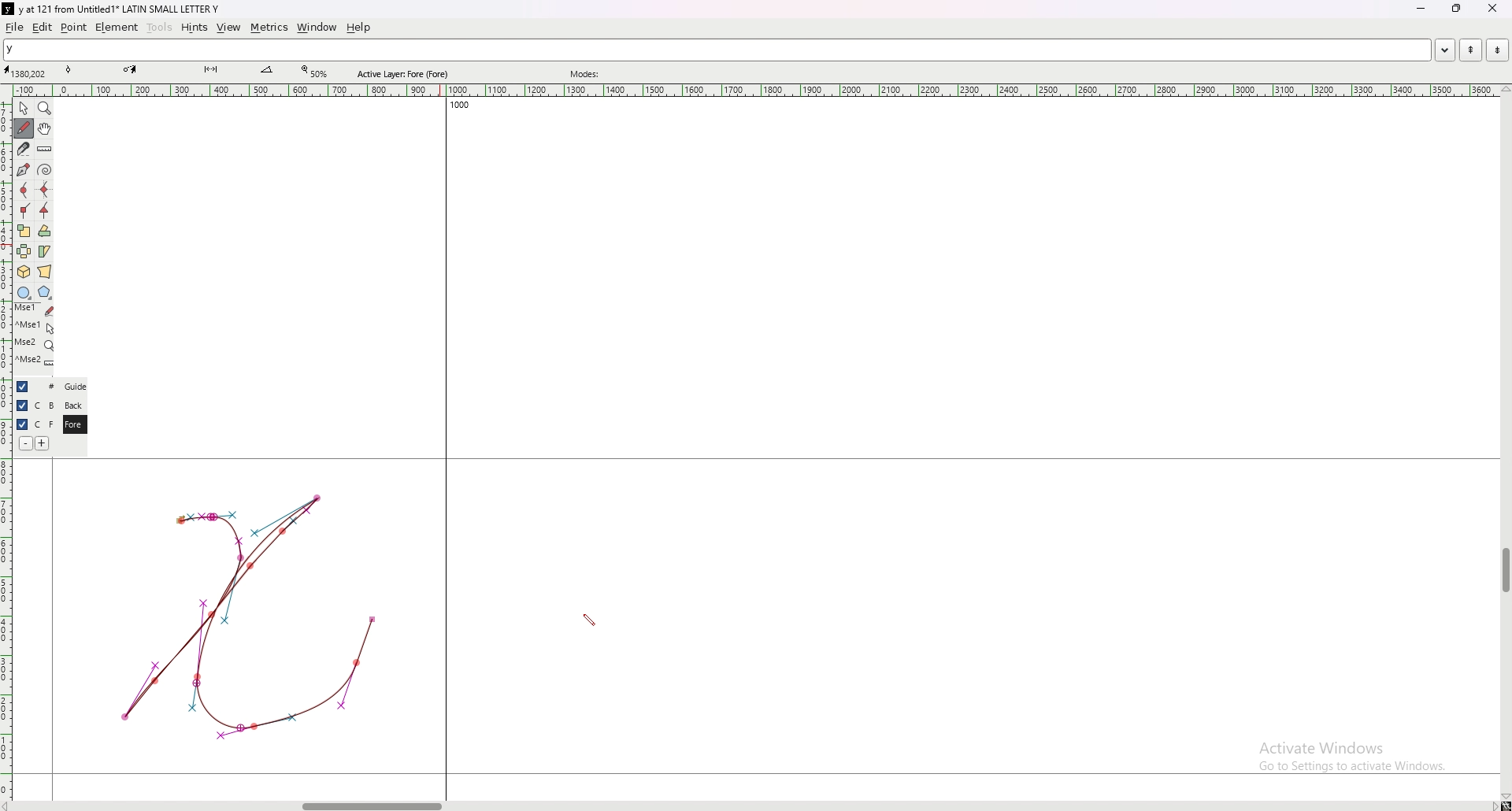 This screenshot has height=811, width=1512. I want to click on edit, so click(43, 28).